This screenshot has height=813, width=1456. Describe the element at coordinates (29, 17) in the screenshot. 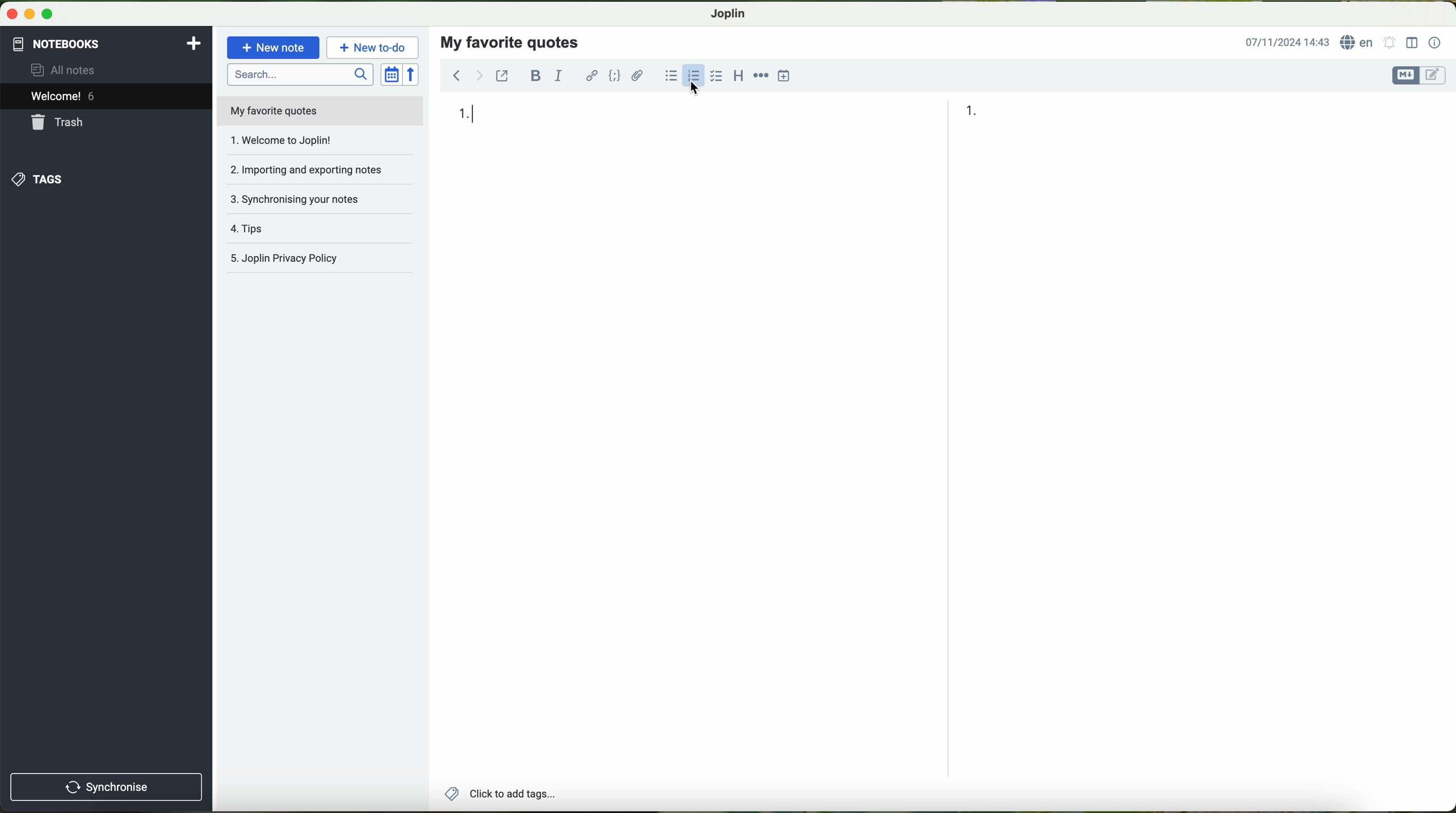

I see `minimize` at that location.